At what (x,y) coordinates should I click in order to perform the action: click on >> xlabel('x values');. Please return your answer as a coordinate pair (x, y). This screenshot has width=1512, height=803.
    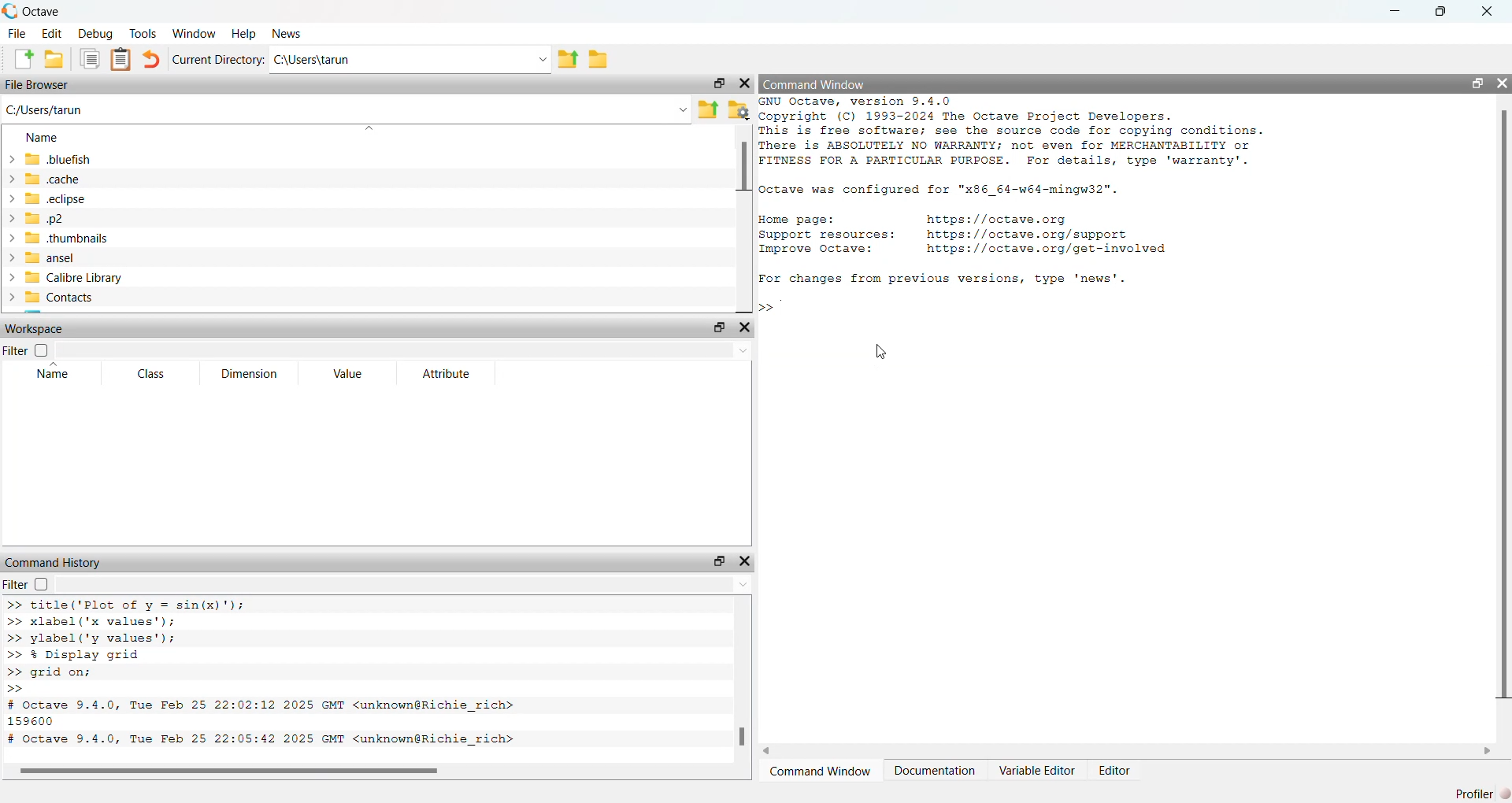
    Looking at the image, I should click on (97, 622).